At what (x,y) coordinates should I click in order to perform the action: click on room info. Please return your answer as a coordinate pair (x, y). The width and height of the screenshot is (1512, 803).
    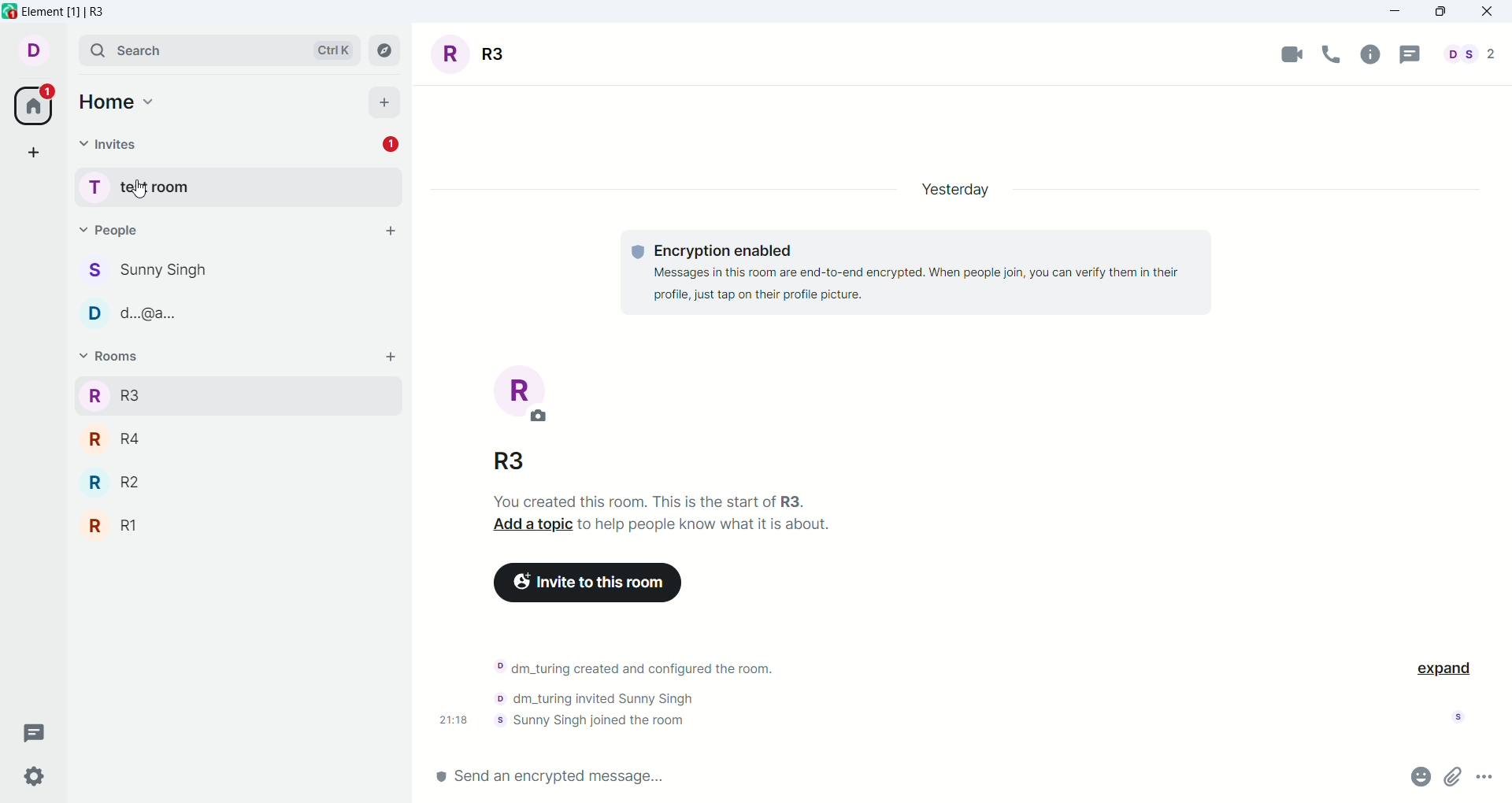
    Looking at the image, I should click on (1376, 57).